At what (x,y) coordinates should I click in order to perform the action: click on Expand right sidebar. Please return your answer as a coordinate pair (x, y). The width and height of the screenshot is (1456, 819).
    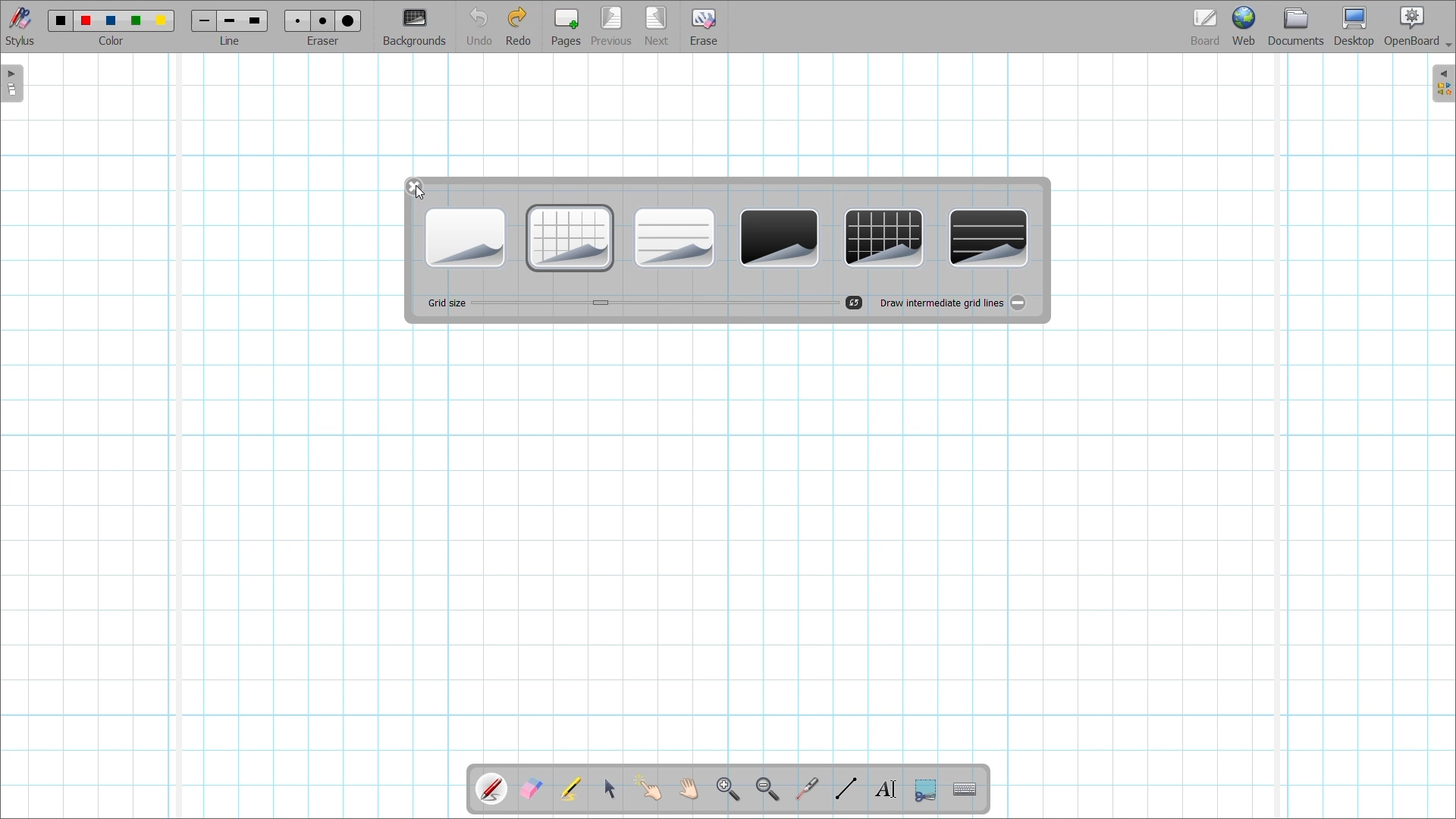
    Looking at the image, I should click on (1443, 83).